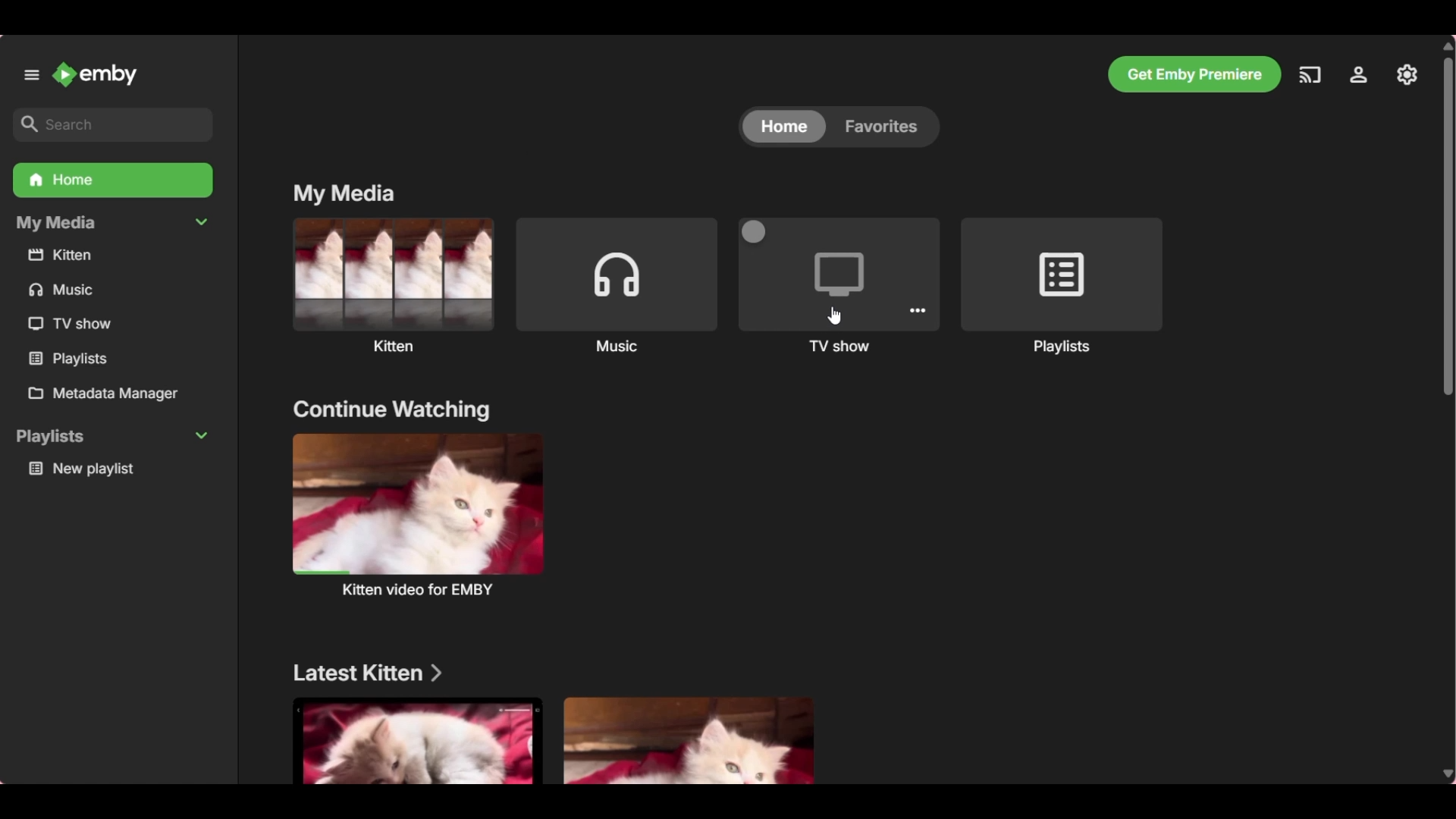 Image resolution: width=1456 pixels, height=819 pixels. I want to click on Media files under My Media, so click(67, 323).